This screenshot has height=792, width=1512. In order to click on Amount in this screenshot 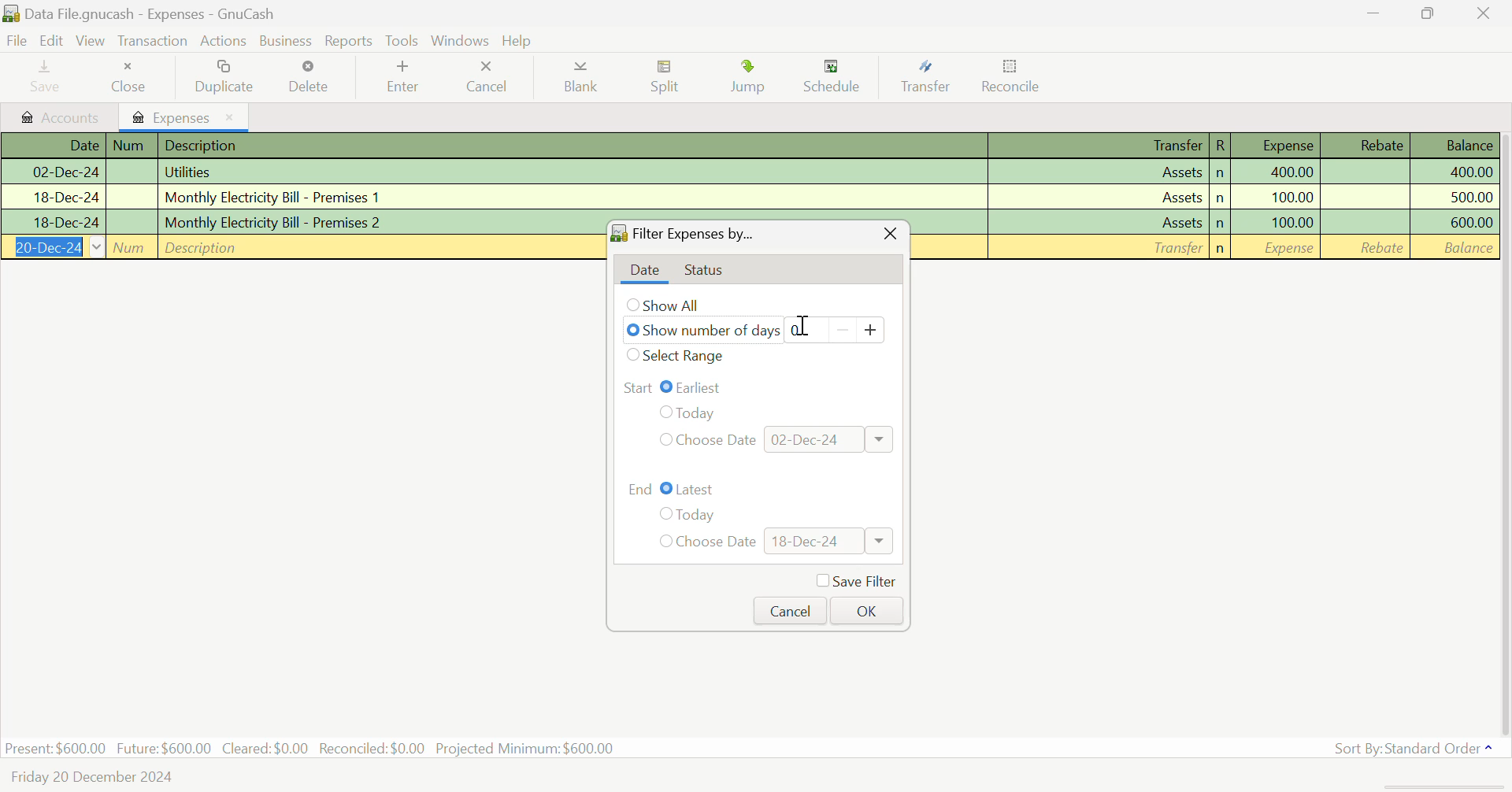, I will do `click(1291, 248)`.